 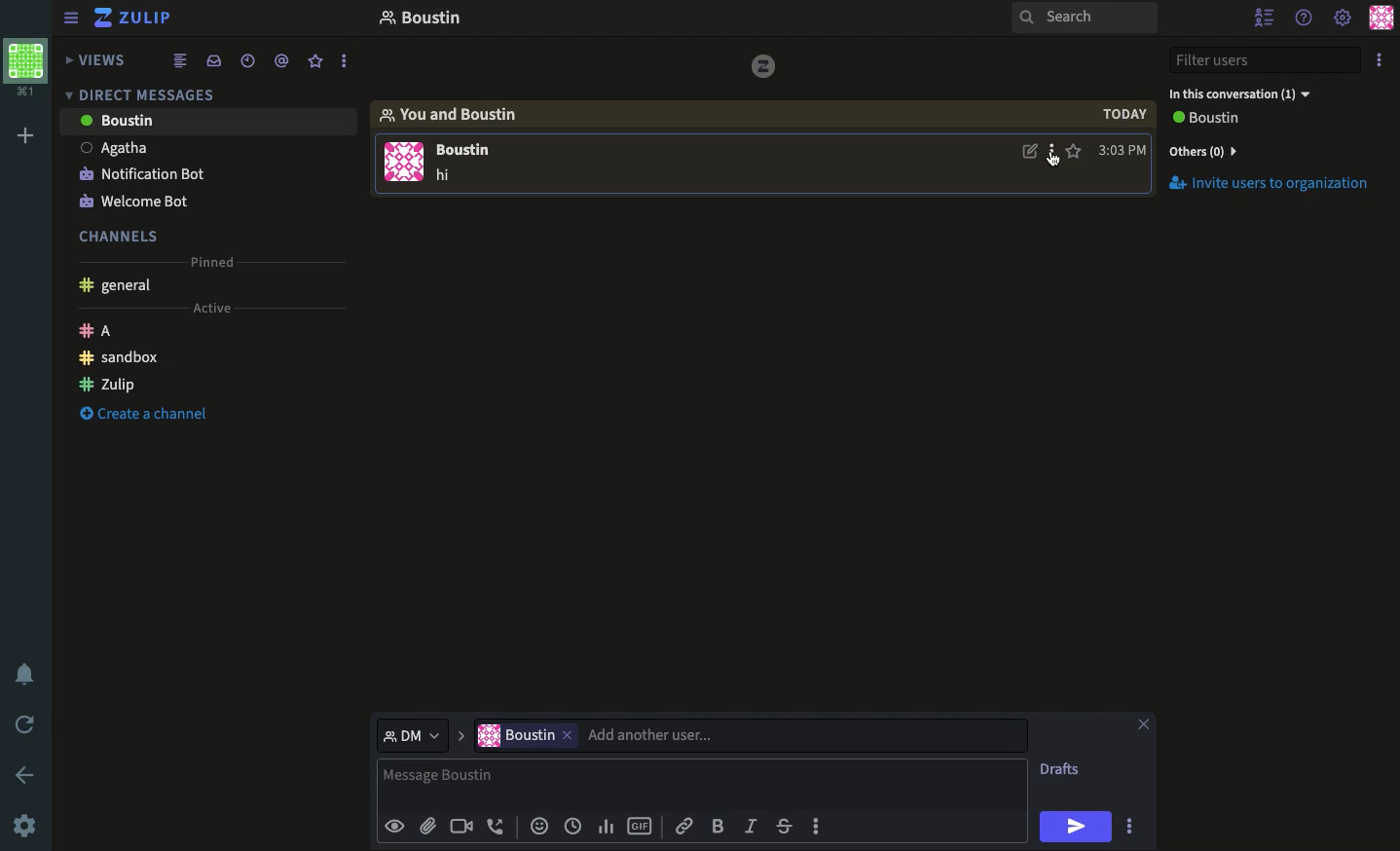 What do you see at coordinates (752, 828) in the screenshot?
I see `Italics` at bounding box center [752, 828].